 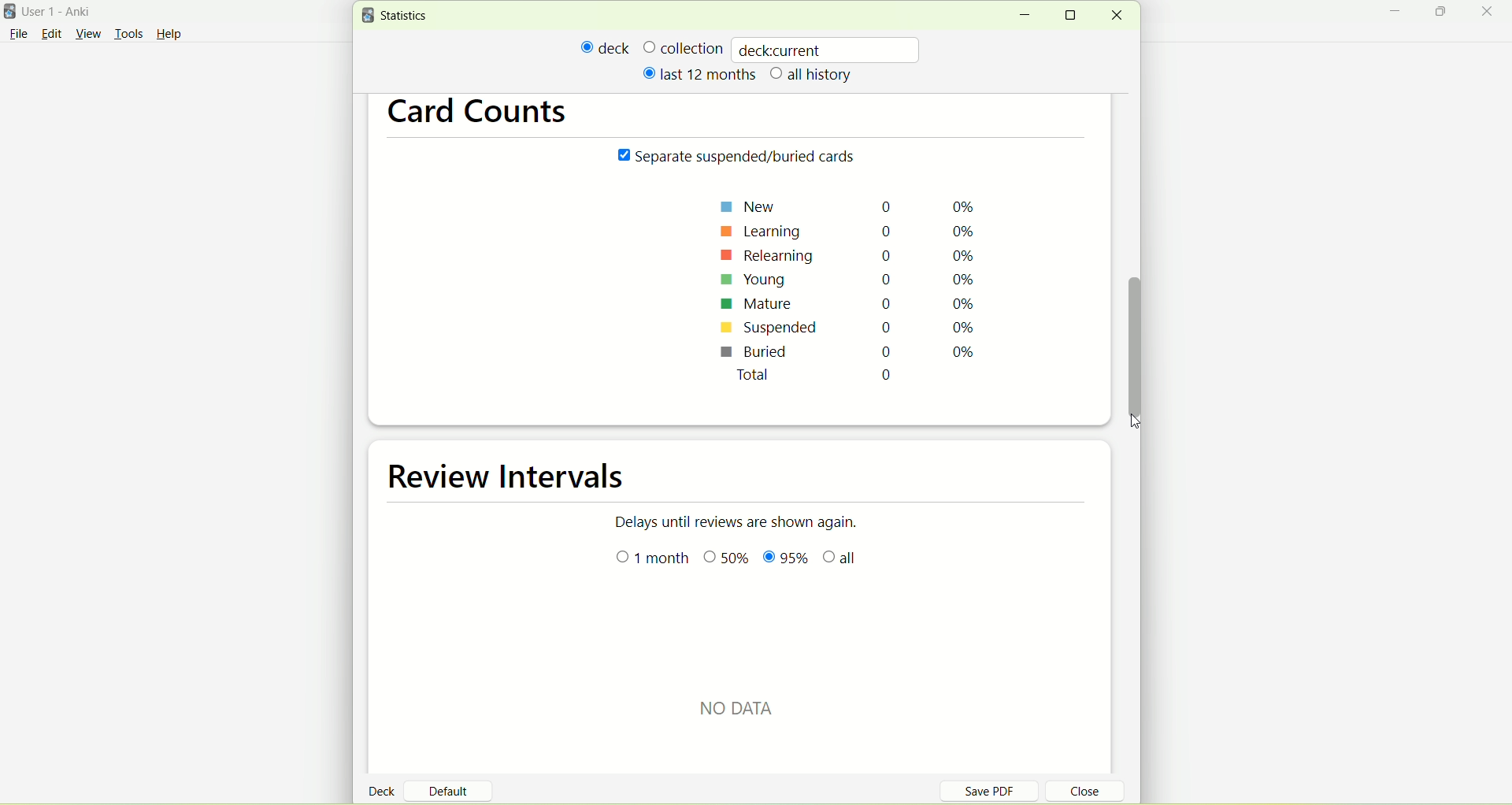 What do you see at coordinates (728, 559) in the screenshot?
I see `0%` at bounding box center [728, 559].